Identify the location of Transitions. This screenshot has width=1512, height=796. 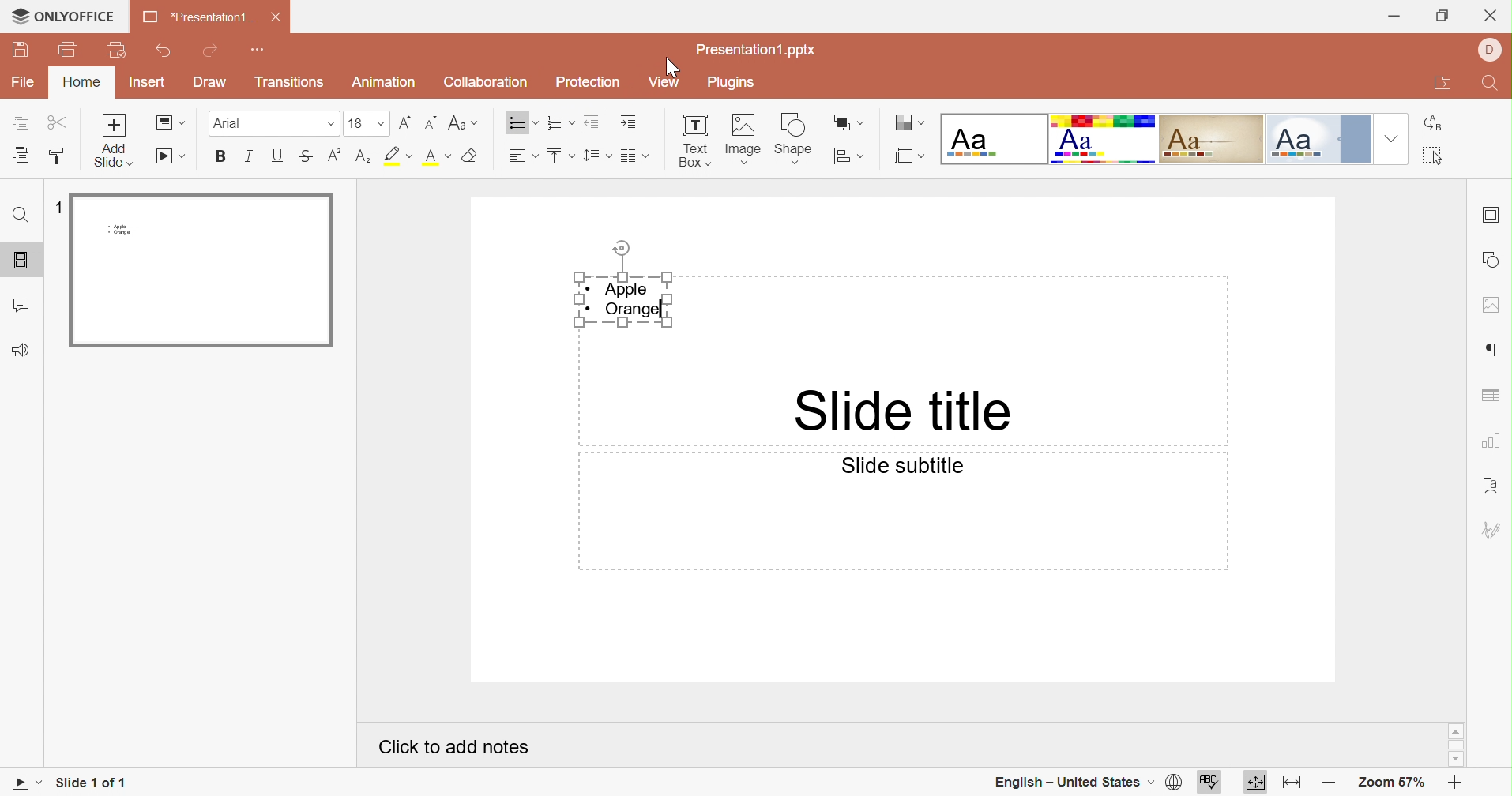
(291, 84).